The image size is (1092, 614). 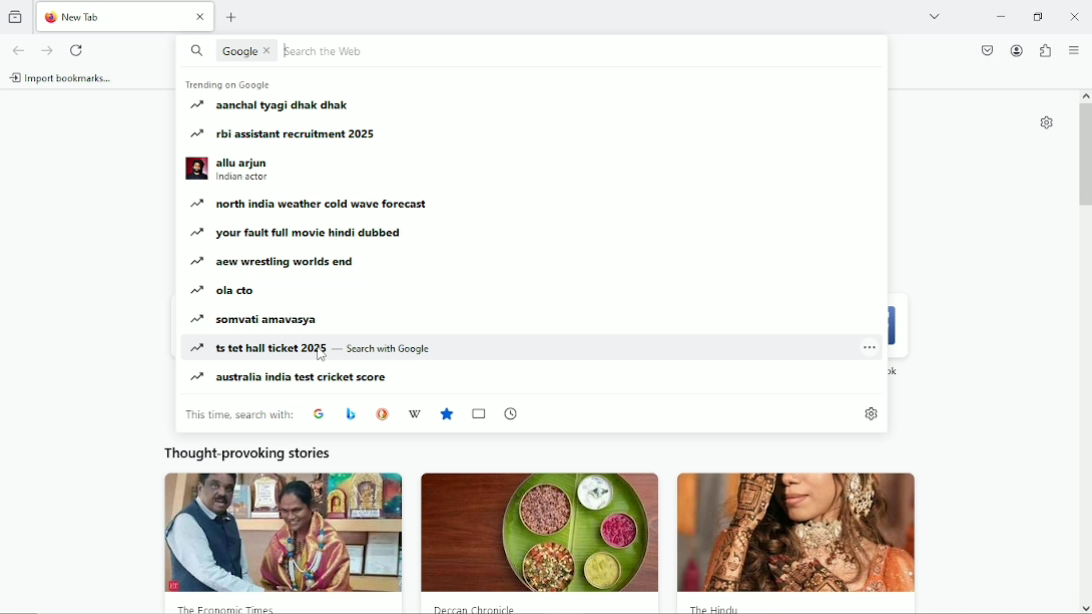 What do you see at coordinates (1084, 606) in the screenshot?
I see `scroll down` at bounding box center [1084, 606].